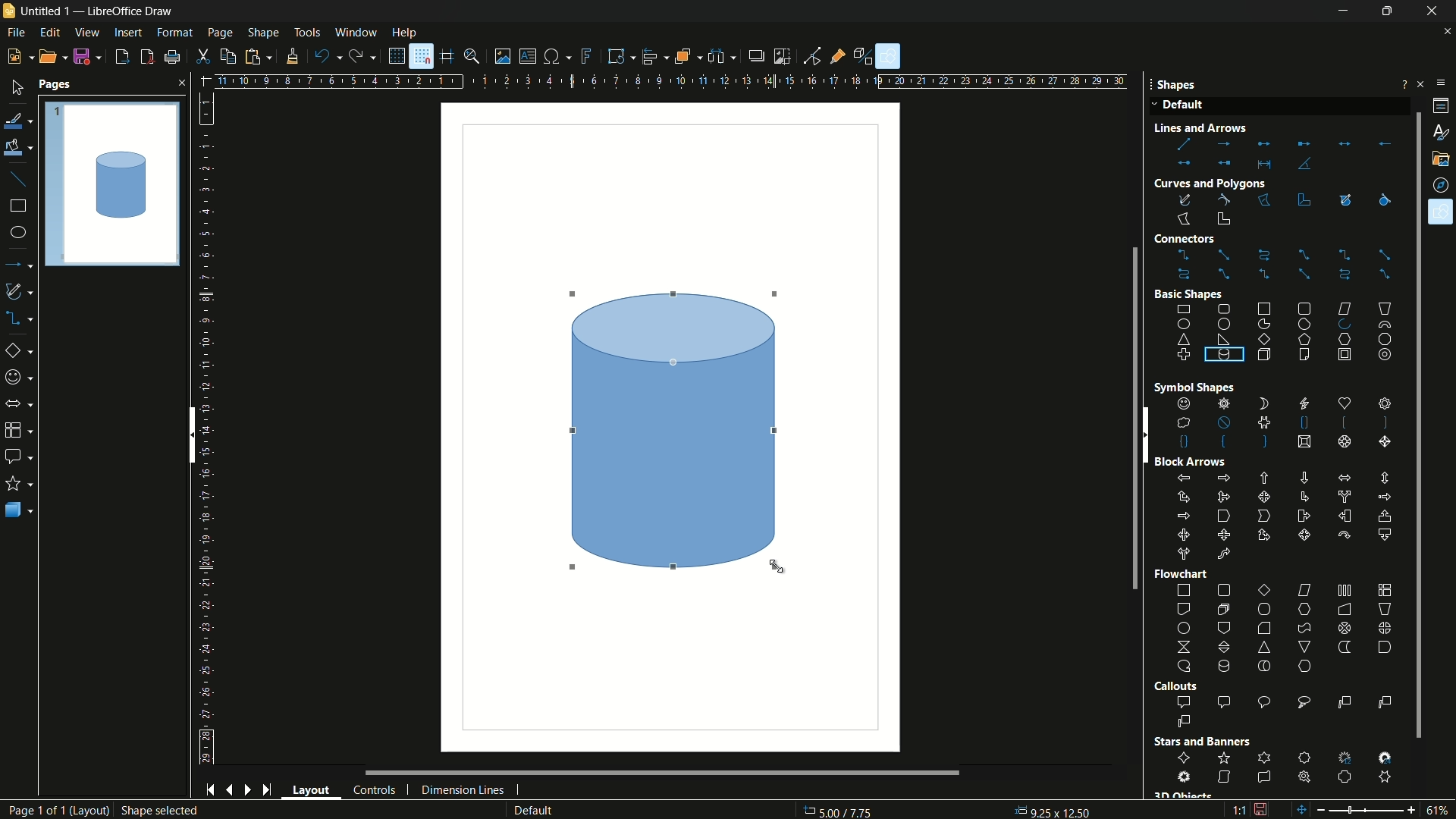 The width and height of the screenshot is (1456, 819). What do you see at coordinates (472, 56) in the screenshot?
I see `zoom and pan` at bounding box center [472, 56].